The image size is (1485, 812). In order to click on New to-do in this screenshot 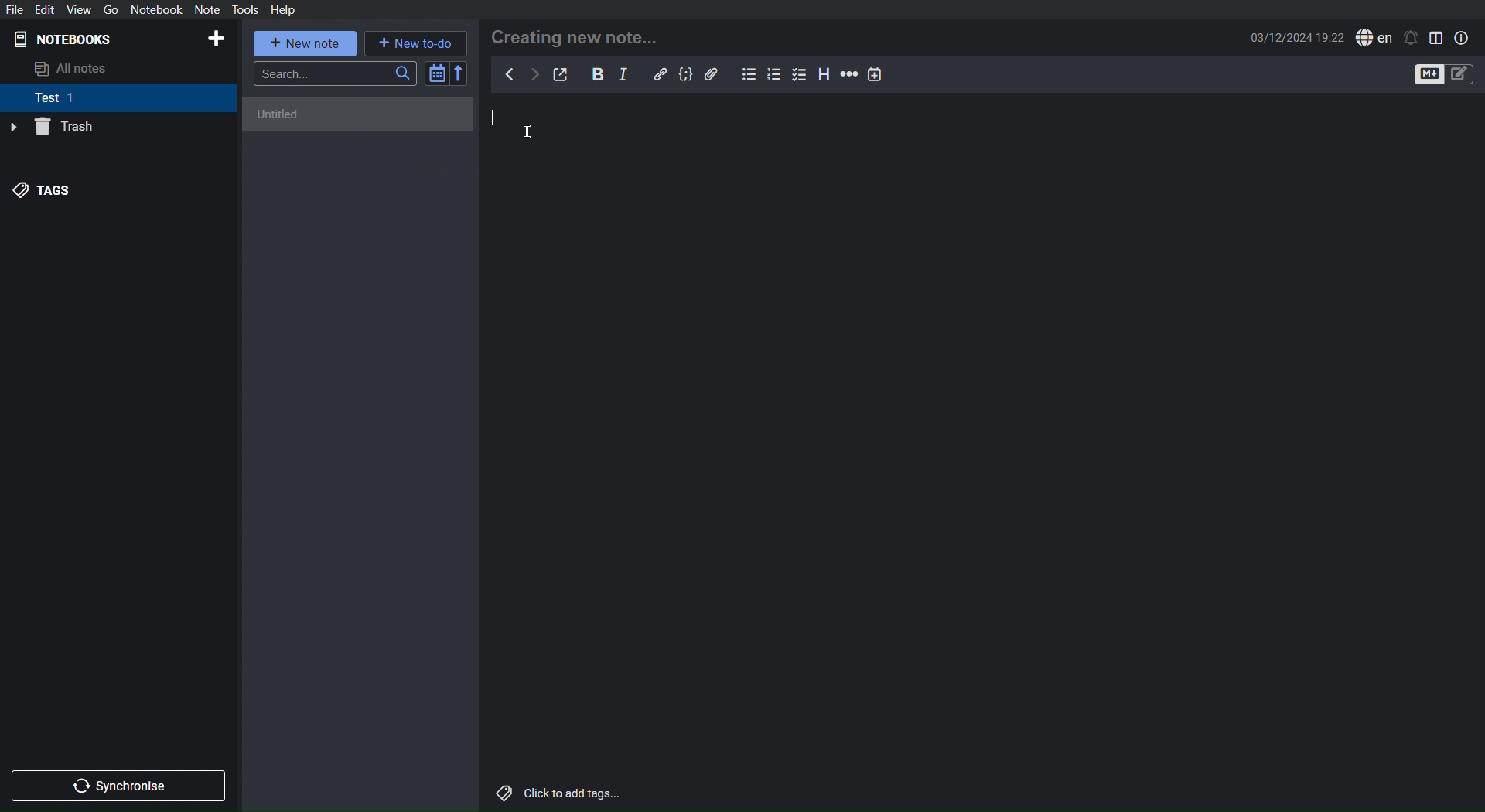, I will do `click(416, 43)`.